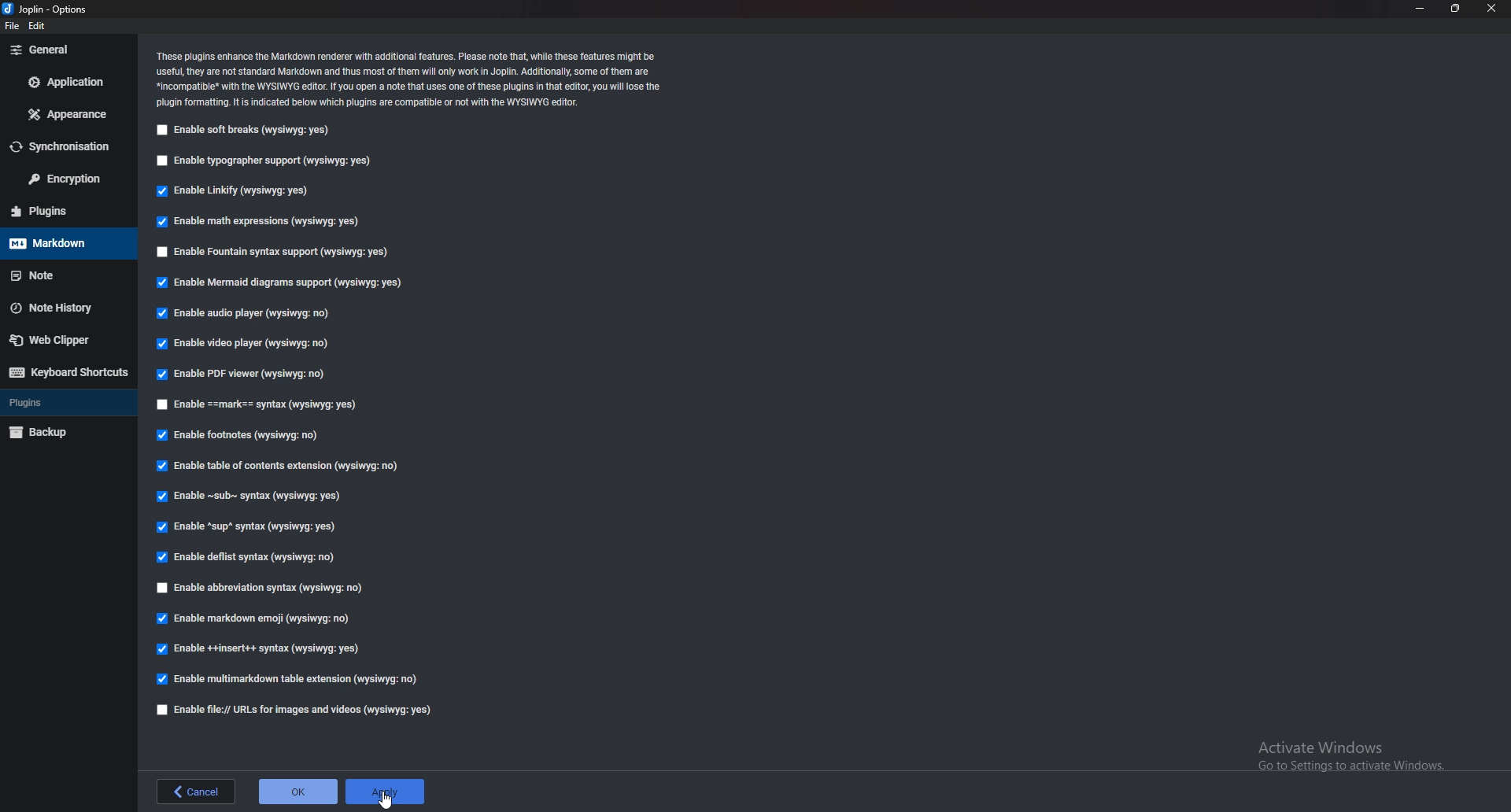 This screenshot has height=812, width=1511. Describe the element at coordinates (412, 80) in the screenshot. I see `Info` at that location.